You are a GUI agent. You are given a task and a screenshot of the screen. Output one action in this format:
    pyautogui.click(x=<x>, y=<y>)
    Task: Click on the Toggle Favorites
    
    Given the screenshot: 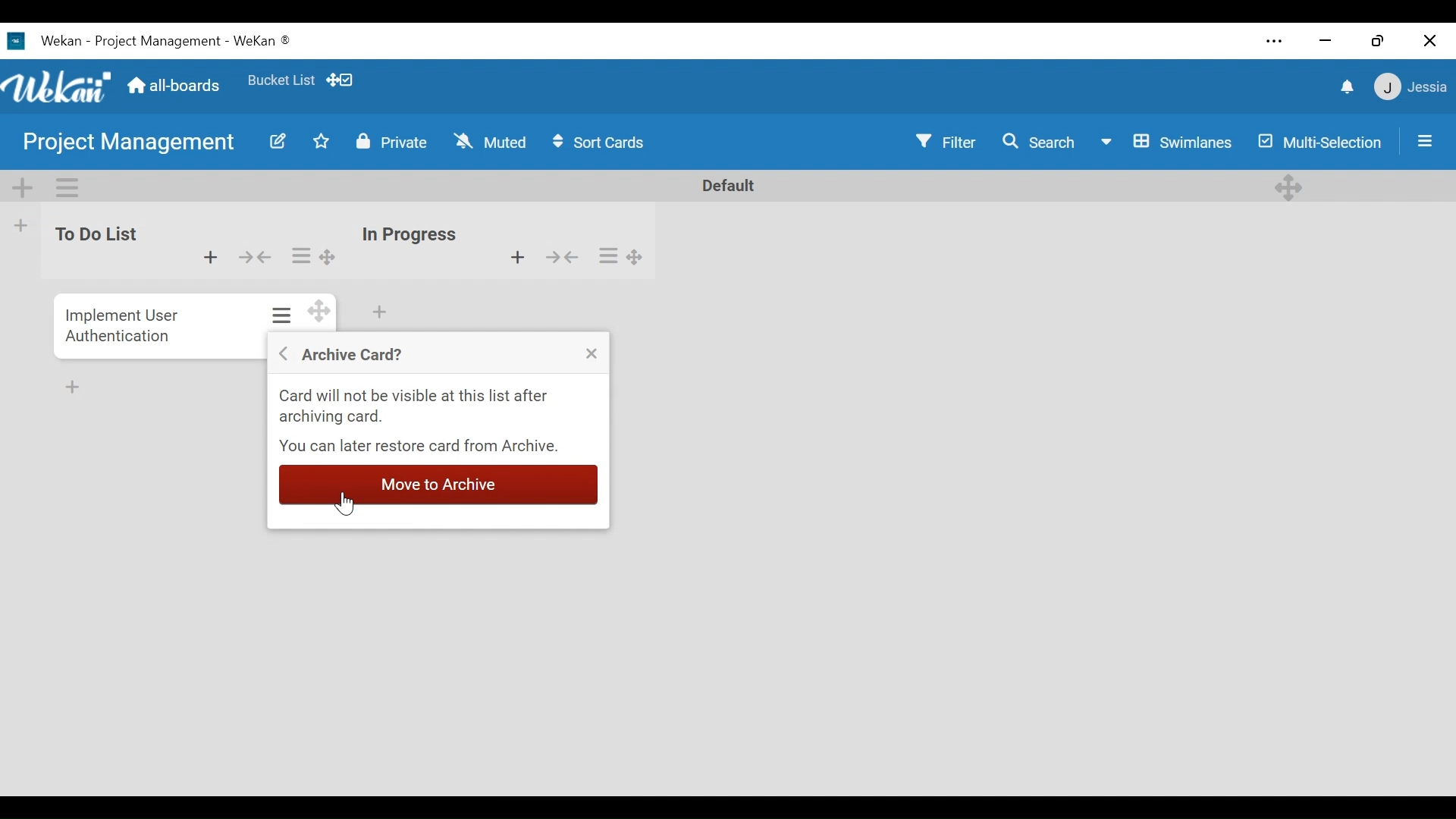 What is the action you would take?
    pyautogui.click(x=322, y=142)
    